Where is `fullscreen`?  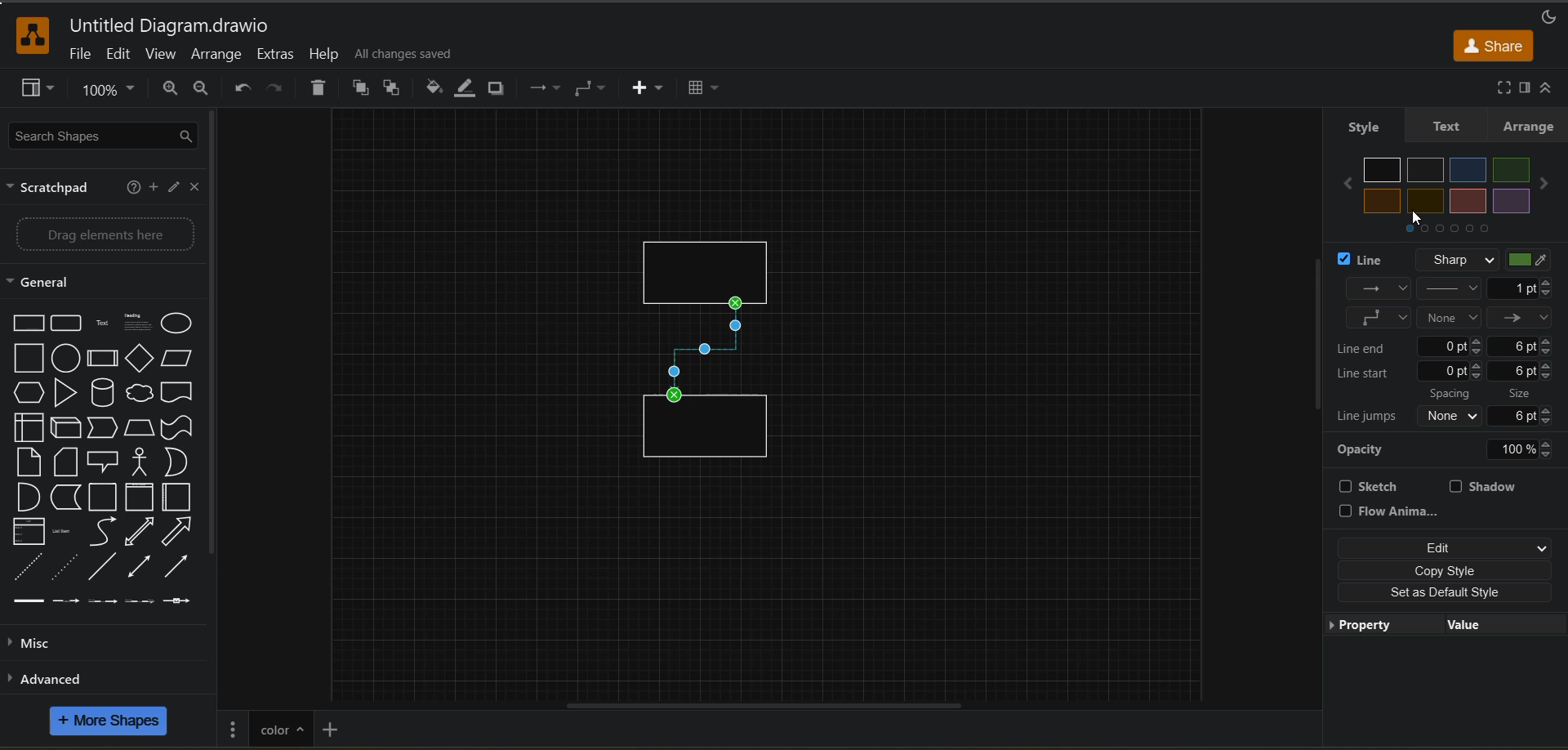
fullscreen is located at coordinates (1499, 87).